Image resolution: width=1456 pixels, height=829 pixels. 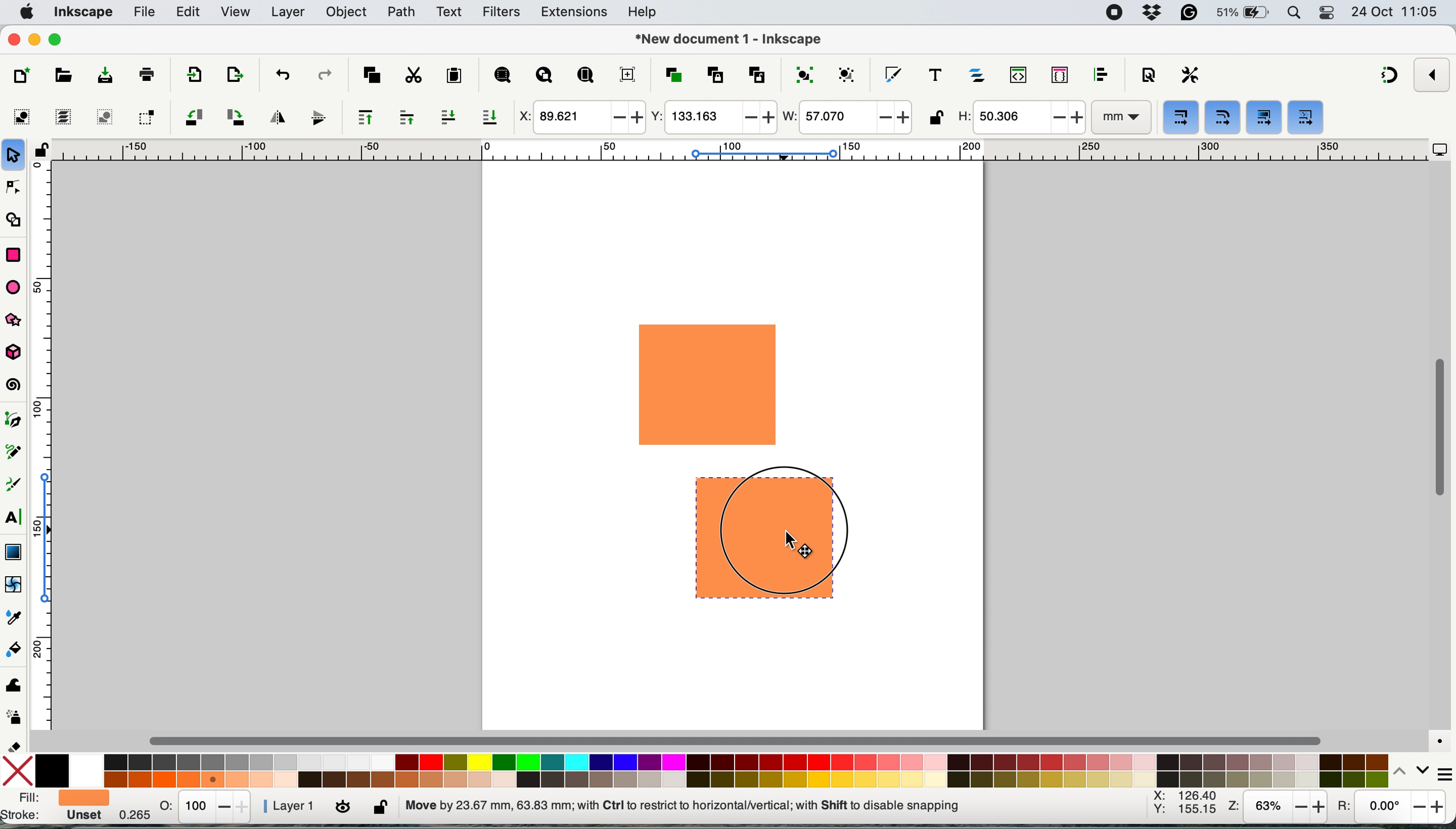 What do you see at coordinates (127, 817) in the screenshot?
I see `0.265` at bounding box center [127, 817].